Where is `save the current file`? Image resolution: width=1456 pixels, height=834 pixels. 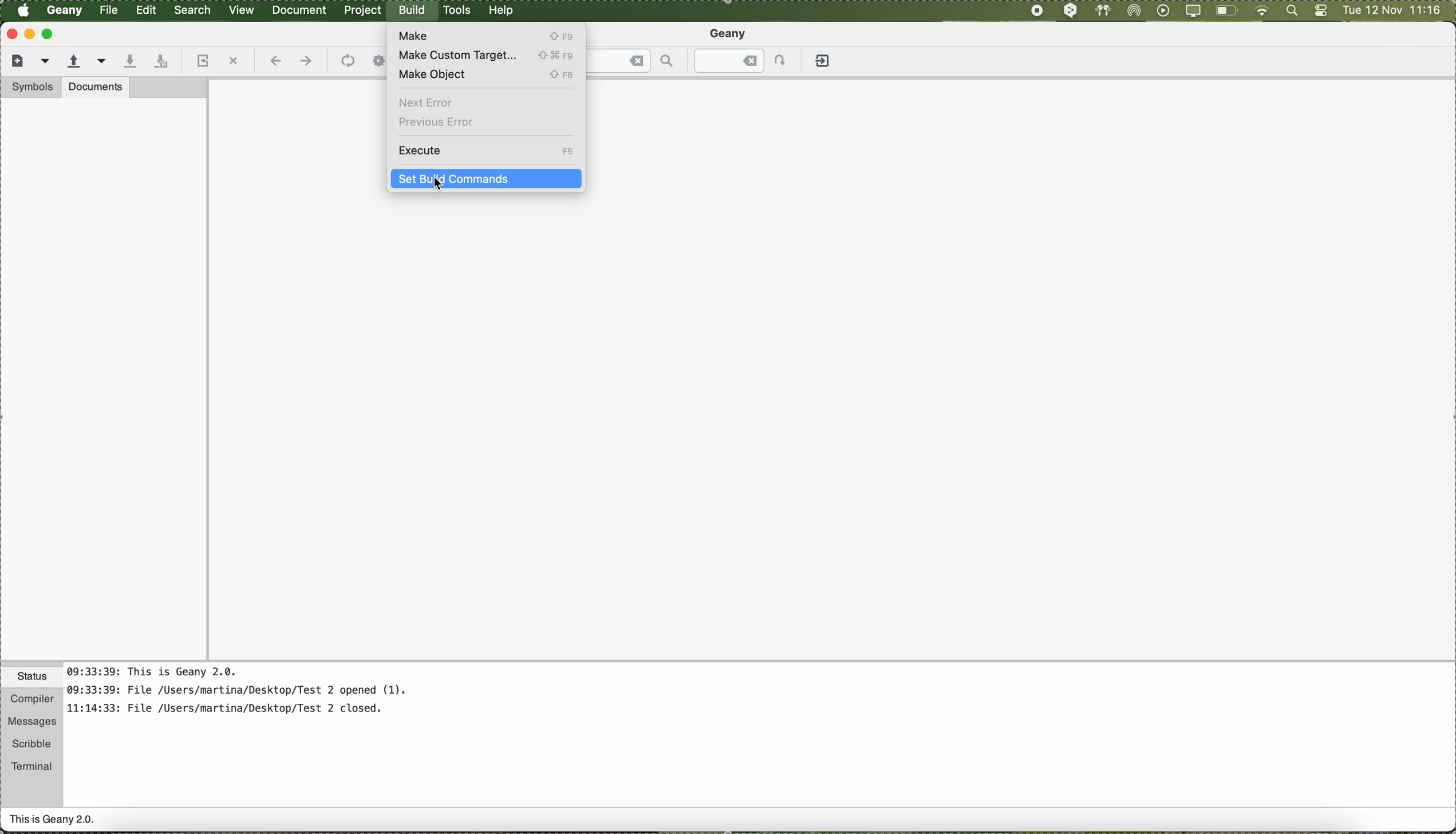 save the current file is located at coordinates (129, 62).